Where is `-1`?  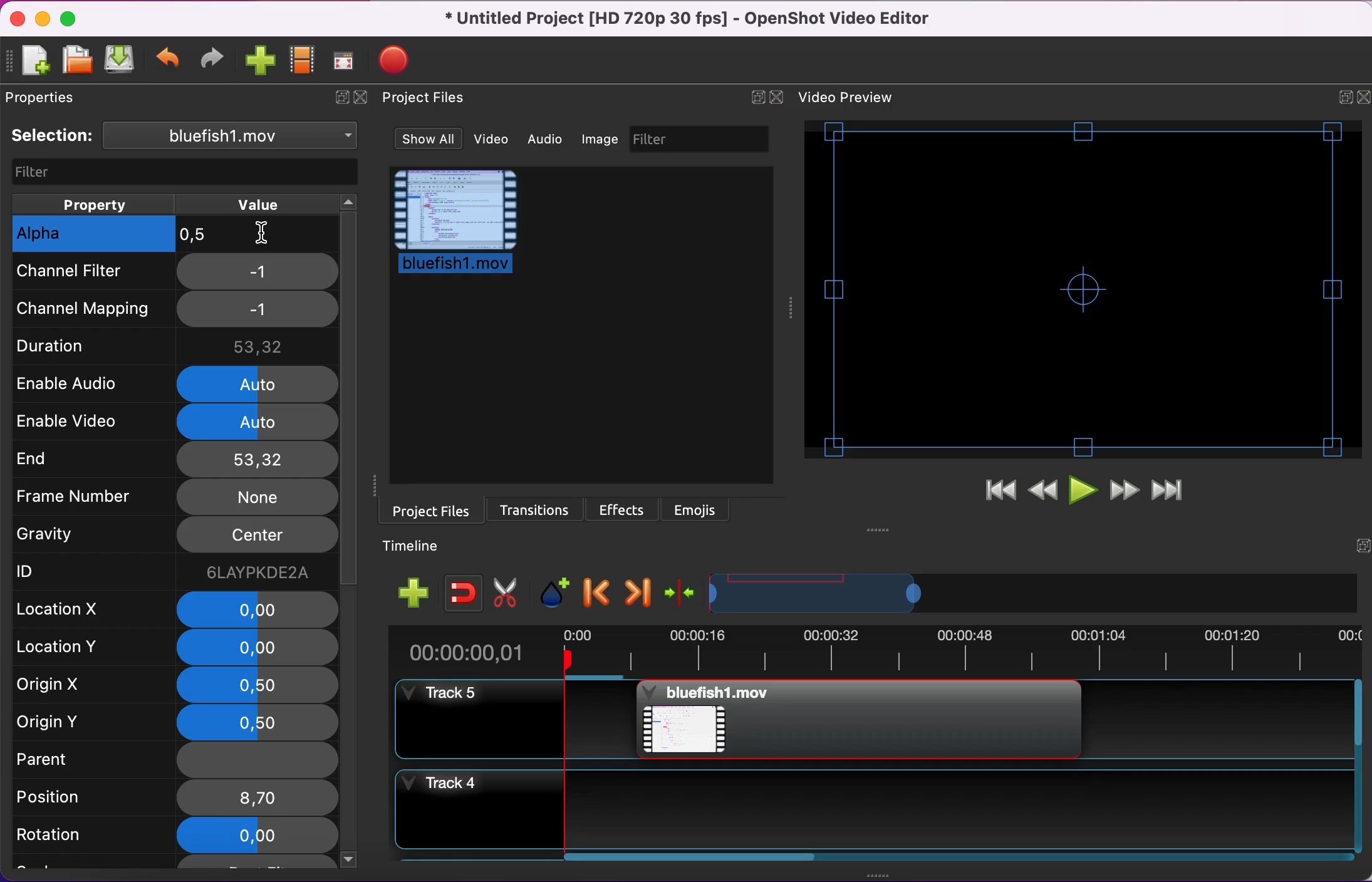
-1 is located at coordinates (259, 310).